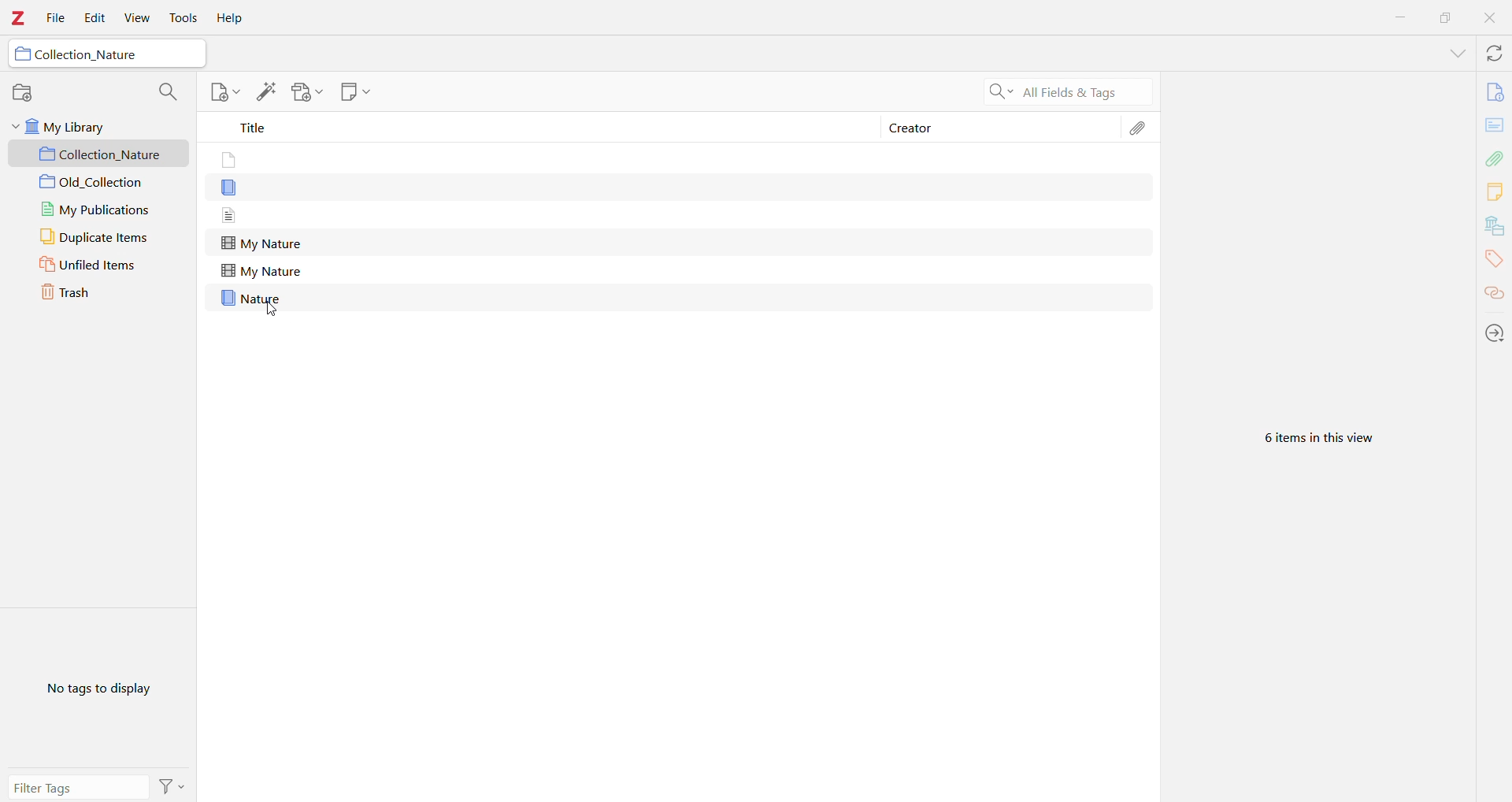 Image resolution: width=1512 pixels, height=802 pixels. Describe the element at coordinates (78, 787) in the screenshot. I see `Filter Tags` at that location.